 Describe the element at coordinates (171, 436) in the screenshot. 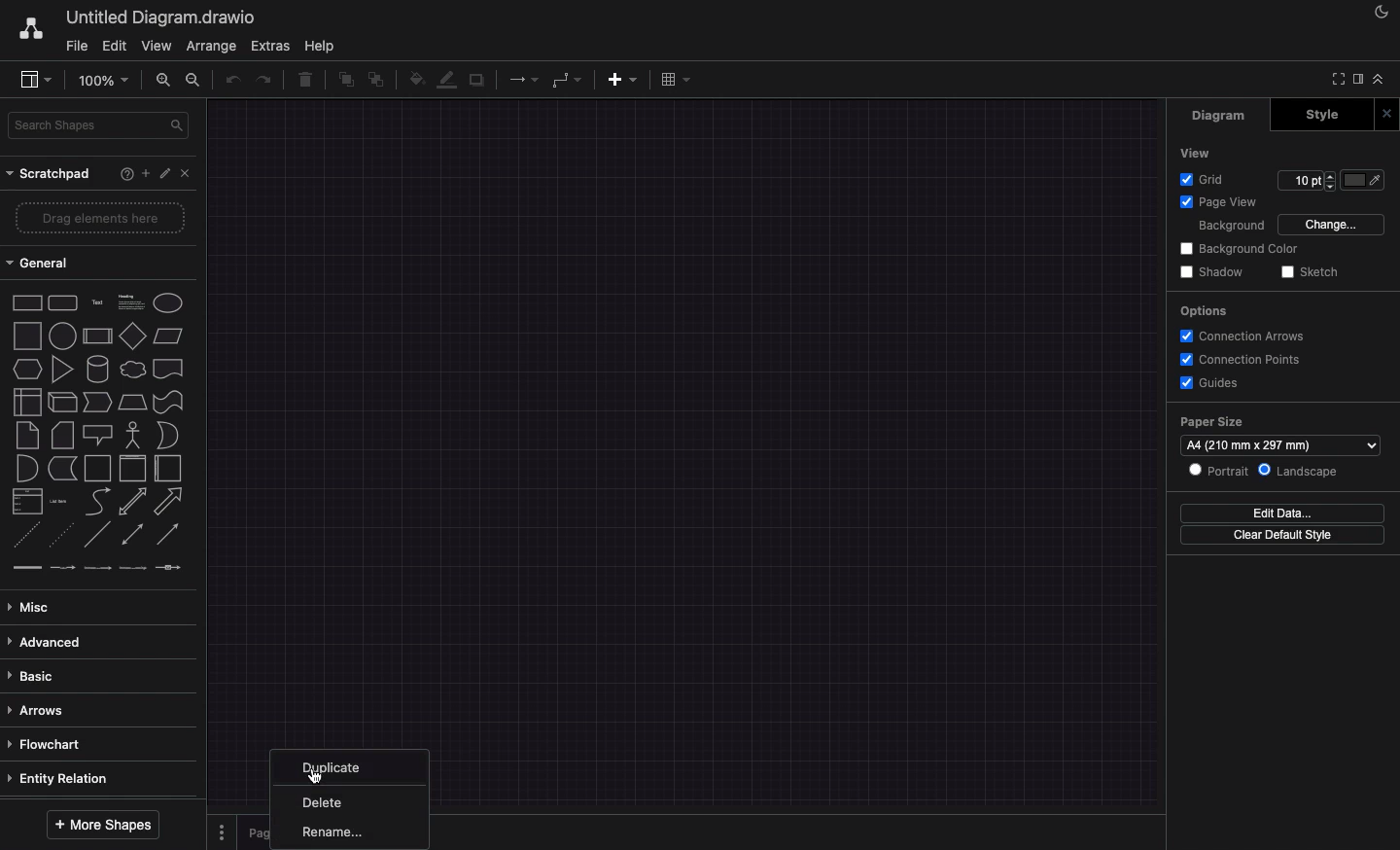

I see `or` at that location.